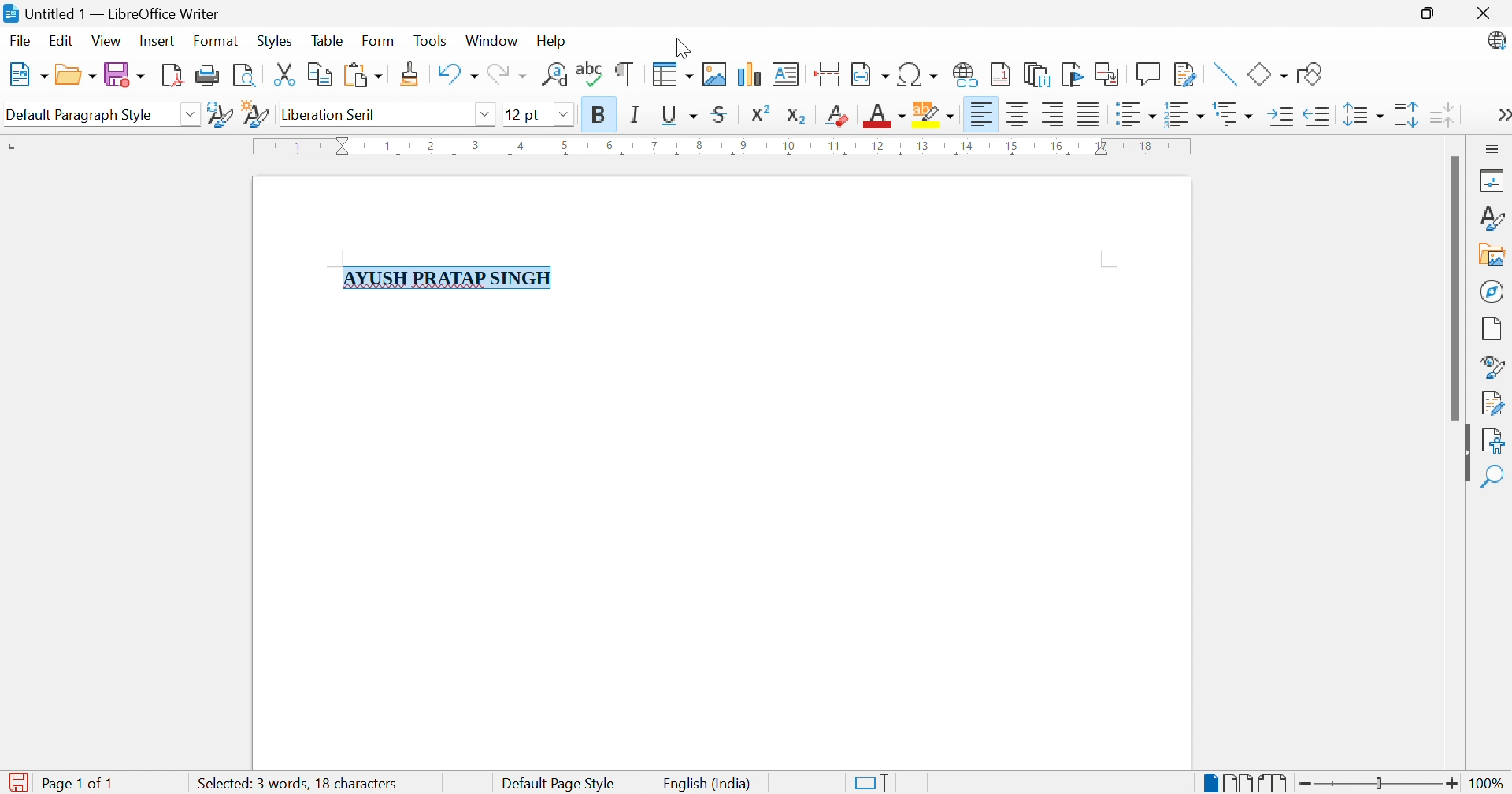 The image size is (1512, 794). What do you see at coordinates (1497, 42) in the screenshot?
I see `LibreOffice Update Available` at bounding box center [1497, 42].